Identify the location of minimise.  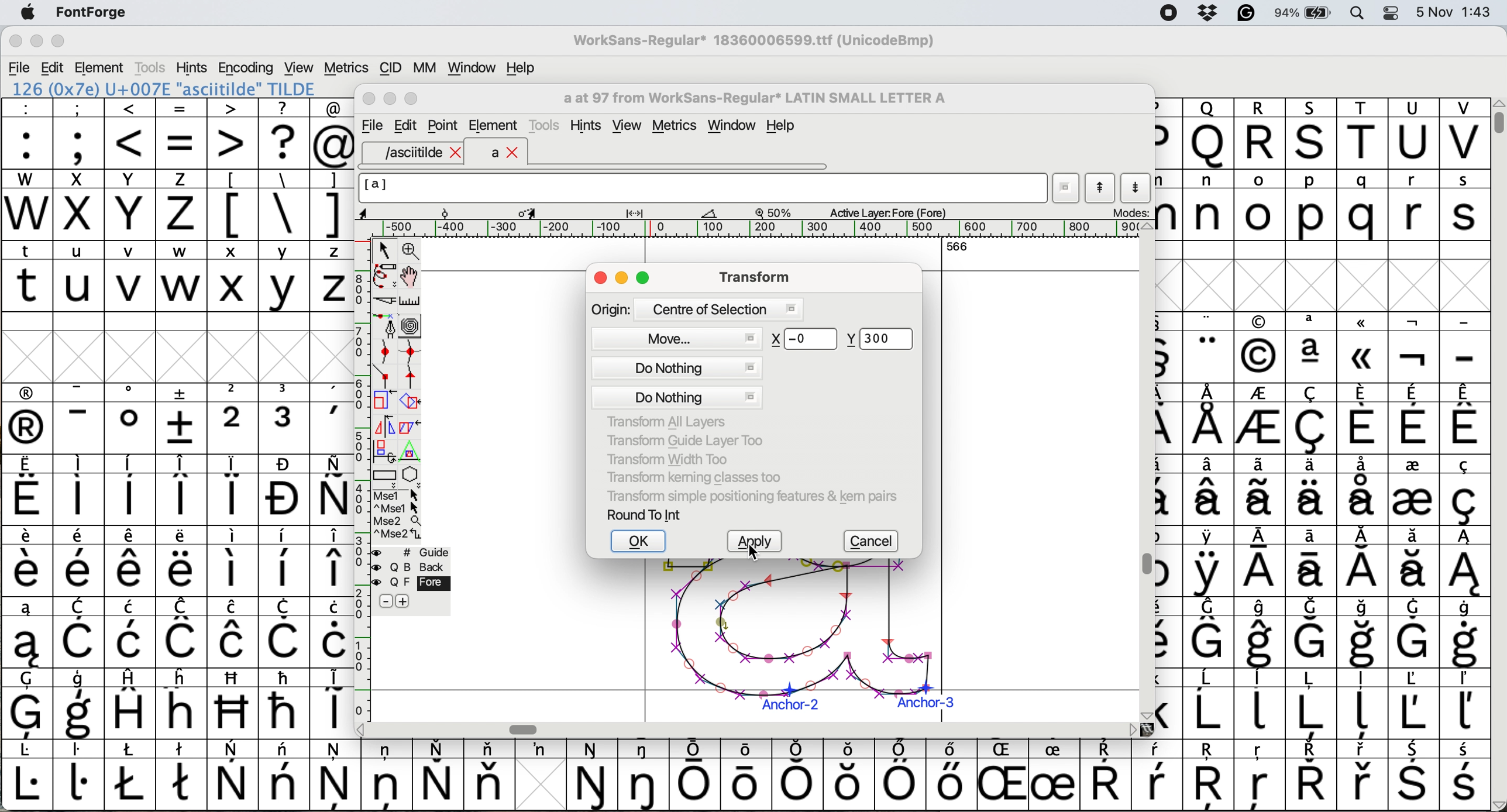
(623, 279).